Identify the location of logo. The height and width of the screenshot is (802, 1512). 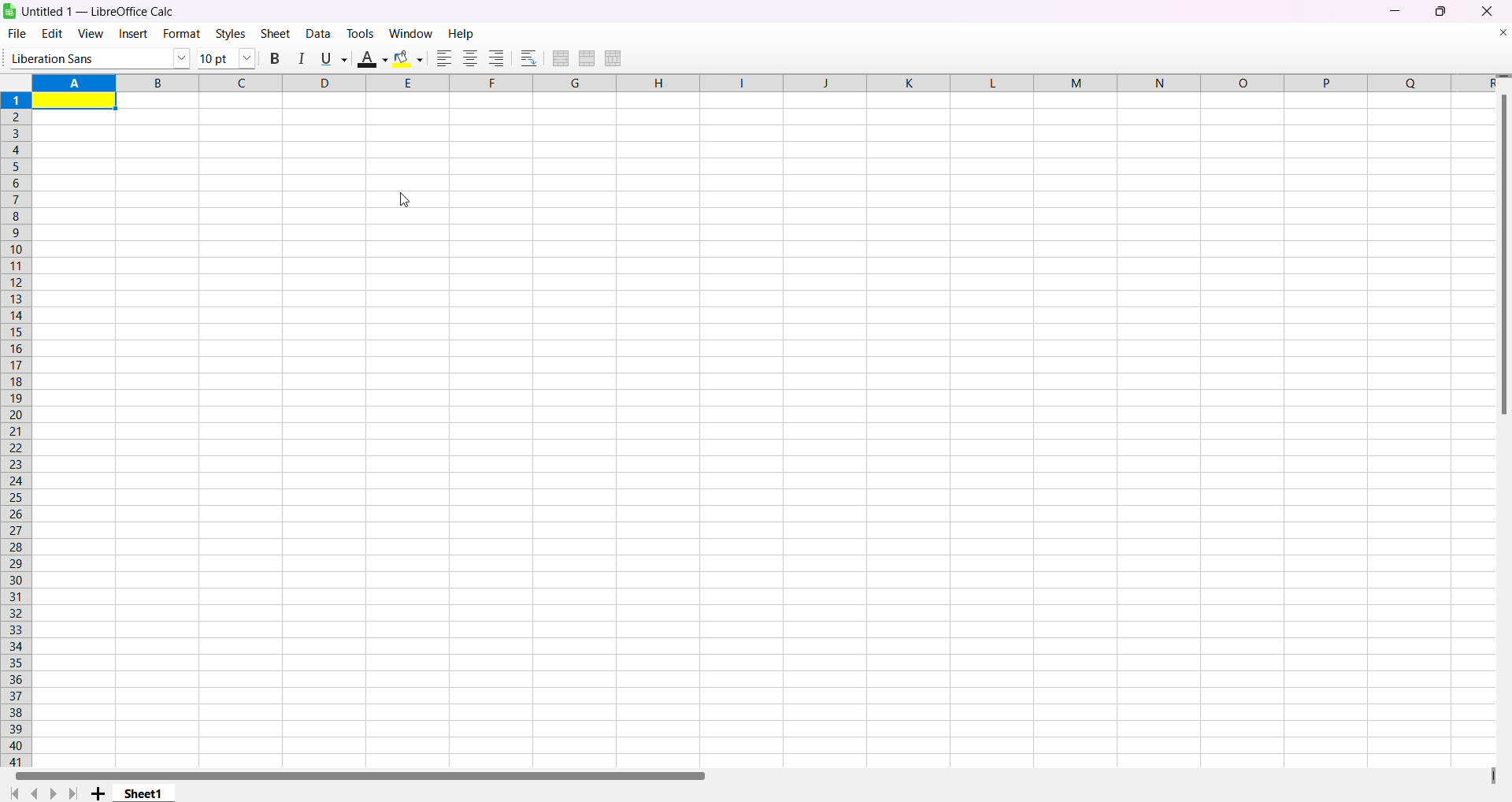
(12, 12).